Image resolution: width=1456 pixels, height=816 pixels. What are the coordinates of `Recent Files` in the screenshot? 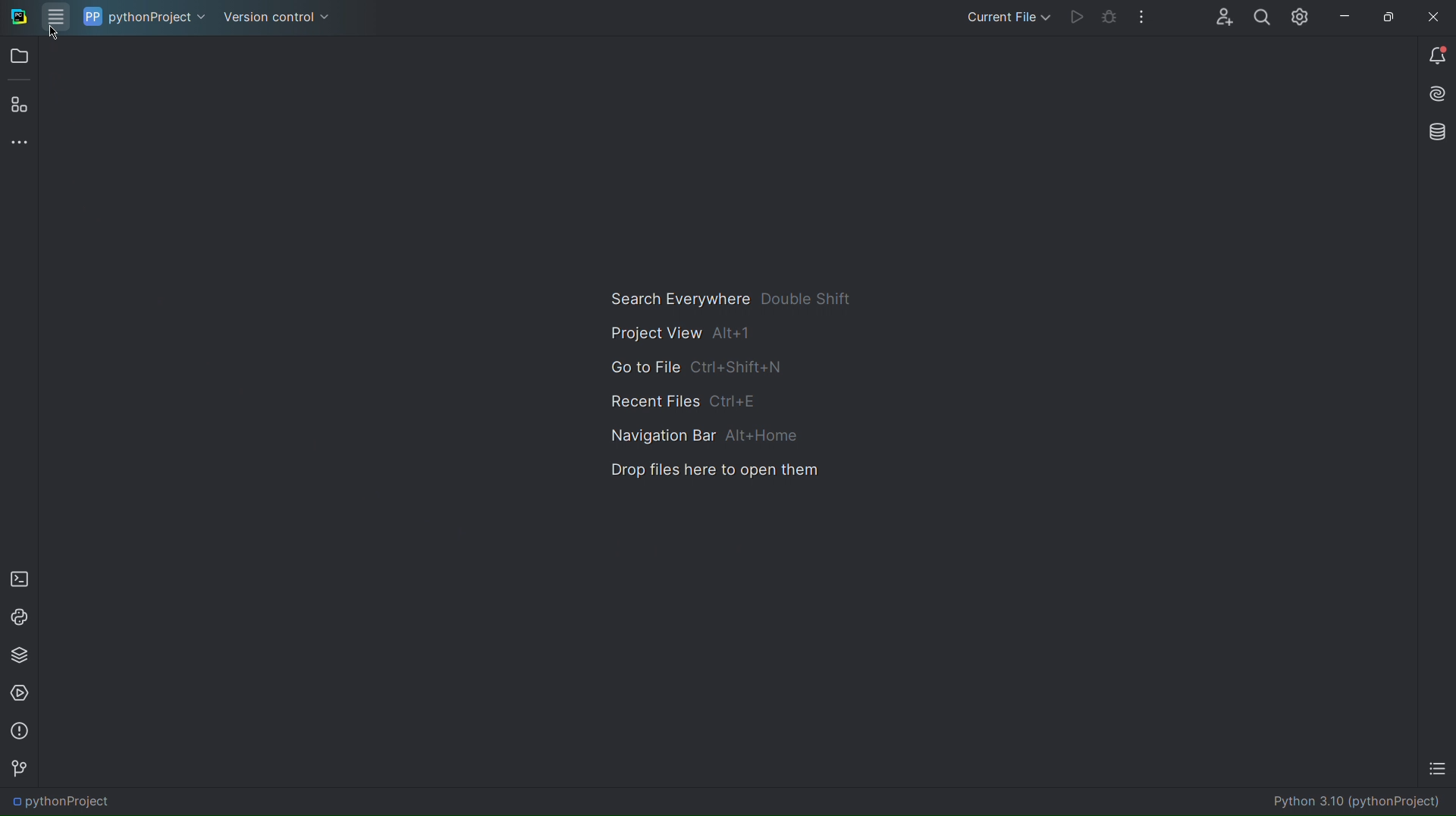 It's located at (682, 402).